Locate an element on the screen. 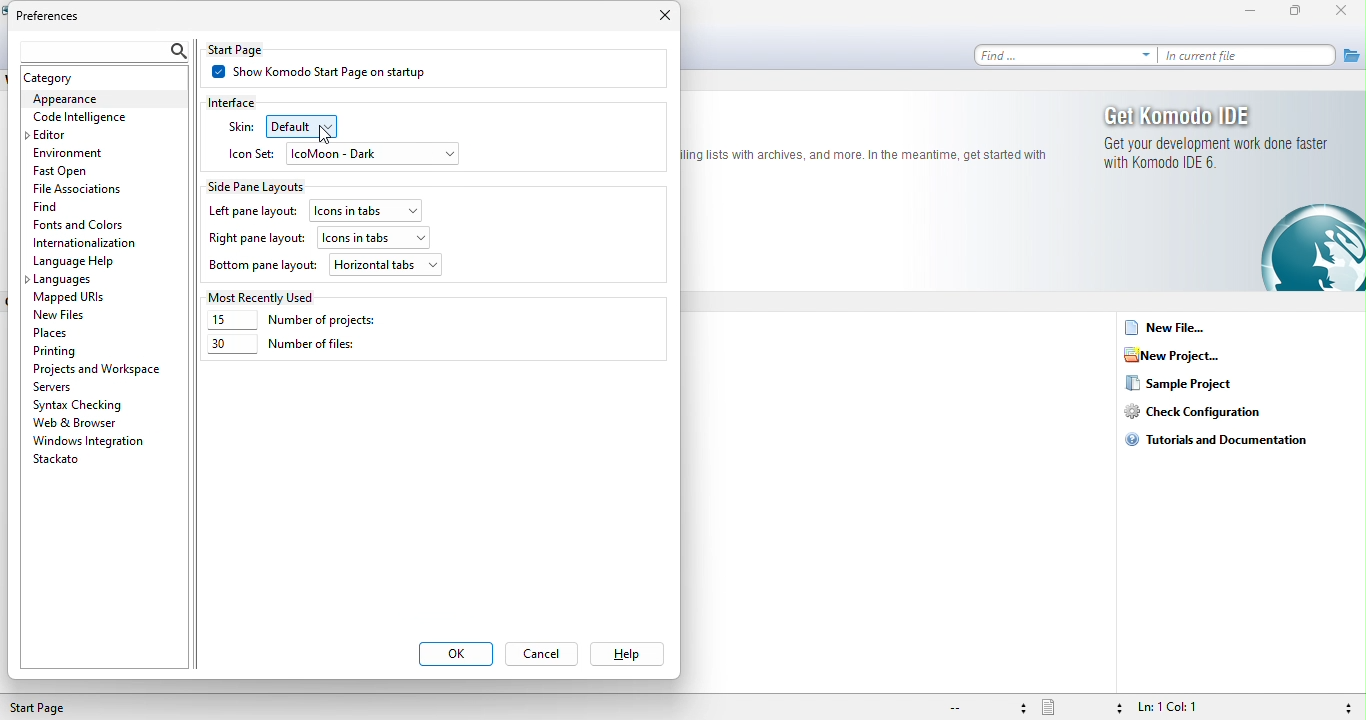 The height and width of the screenshot is (720, 1366). maximize is located at coordinates (1300, 12).